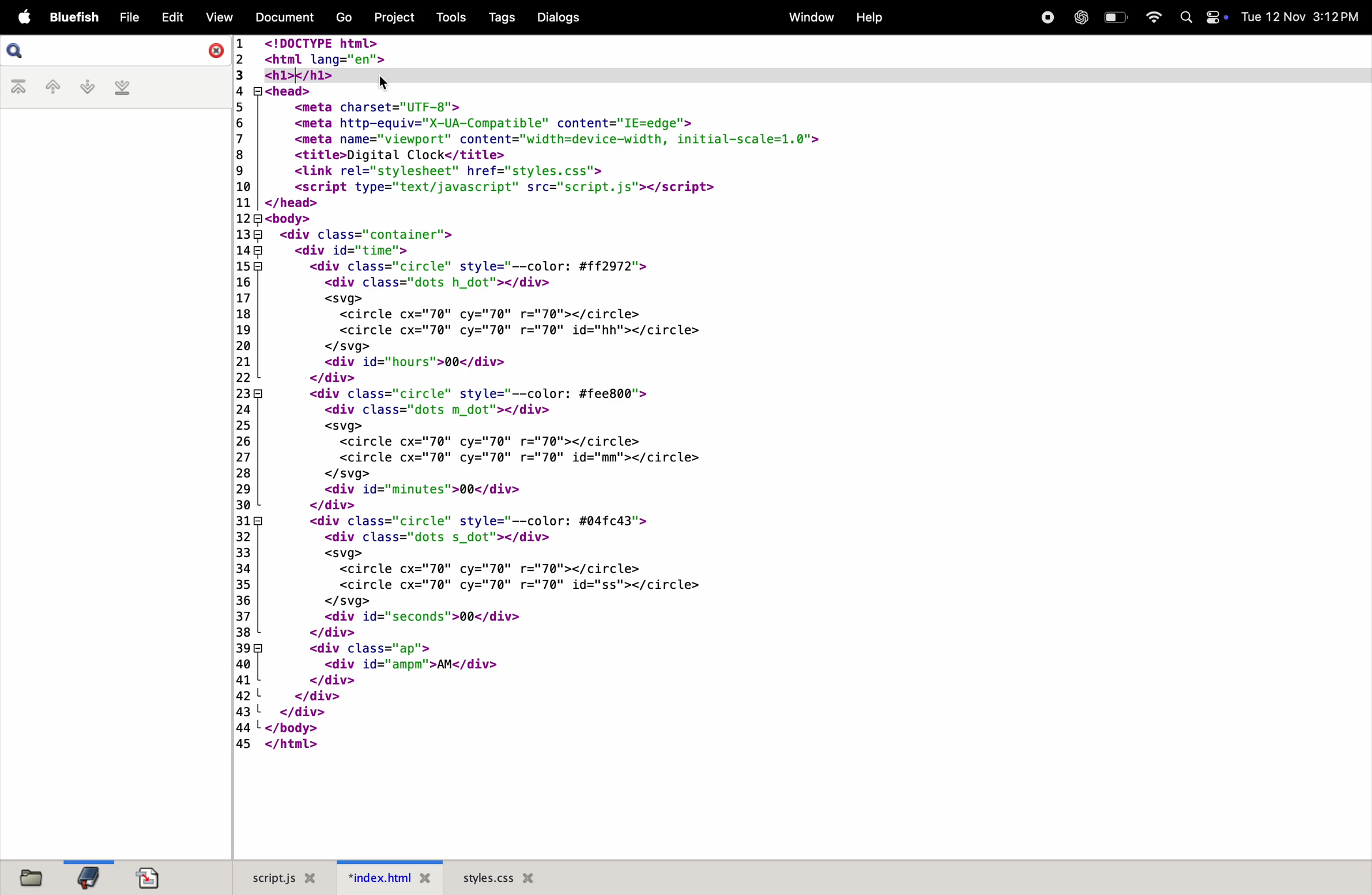 This screenshot has width=1372, height=895. I want to click on dialogs, so click(557, 17).